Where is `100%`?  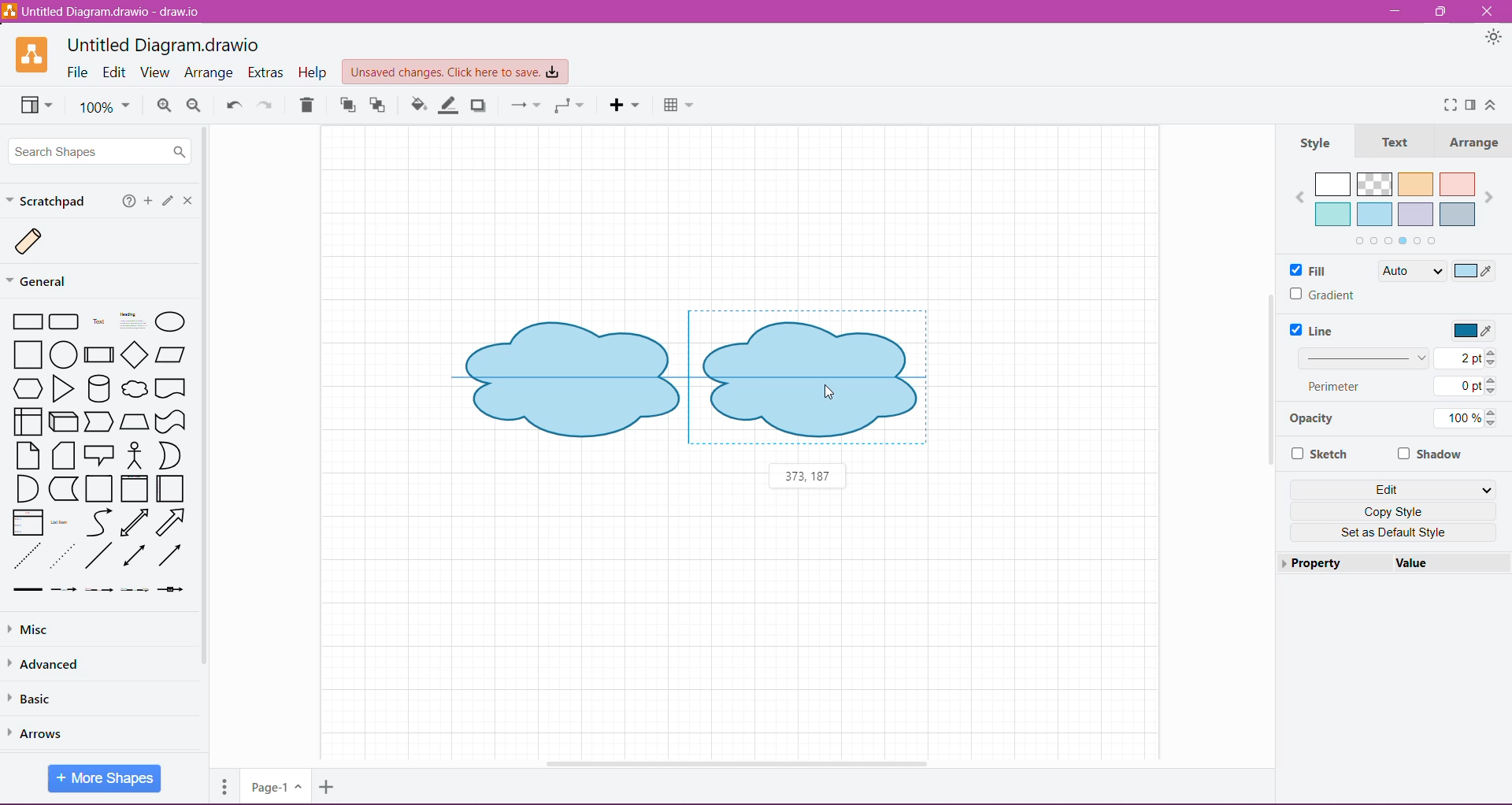 100% is located at coordinates (105, 108).